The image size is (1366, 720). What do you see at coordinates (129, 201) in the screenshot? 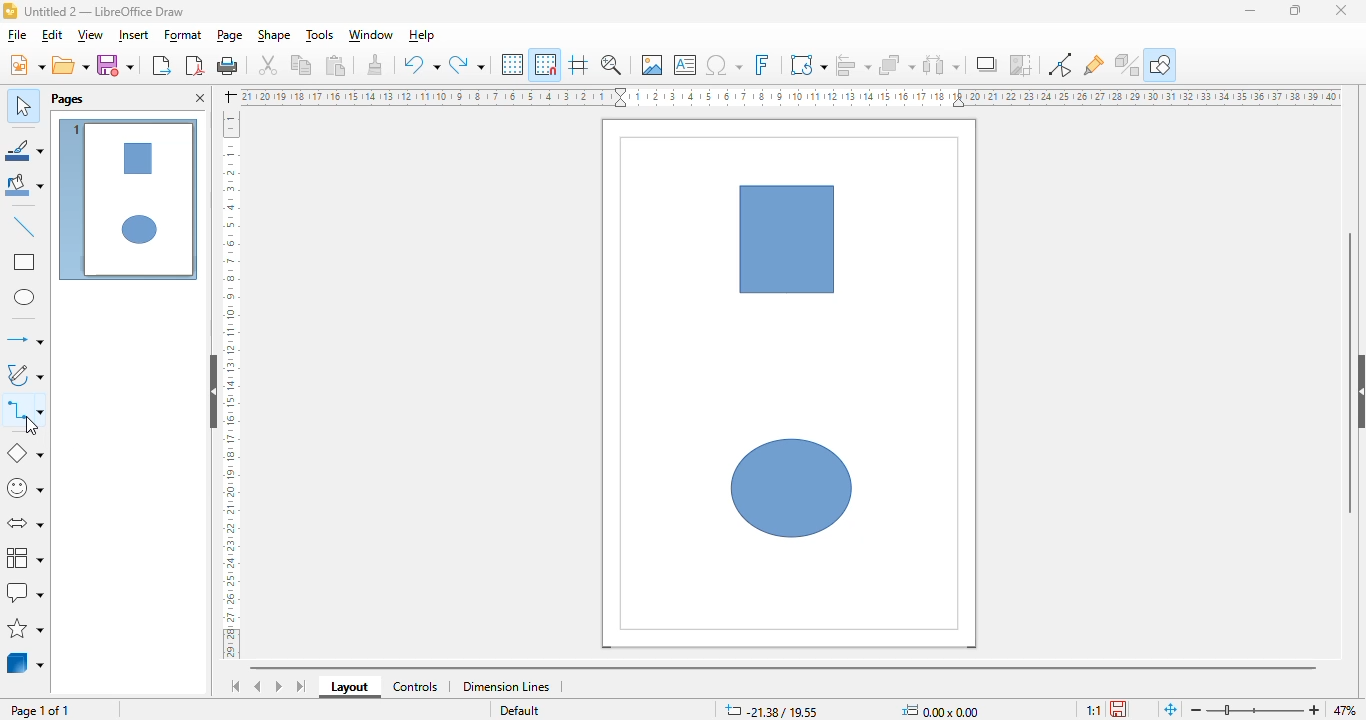
I see `page 1` at bounding box center [129, 201].